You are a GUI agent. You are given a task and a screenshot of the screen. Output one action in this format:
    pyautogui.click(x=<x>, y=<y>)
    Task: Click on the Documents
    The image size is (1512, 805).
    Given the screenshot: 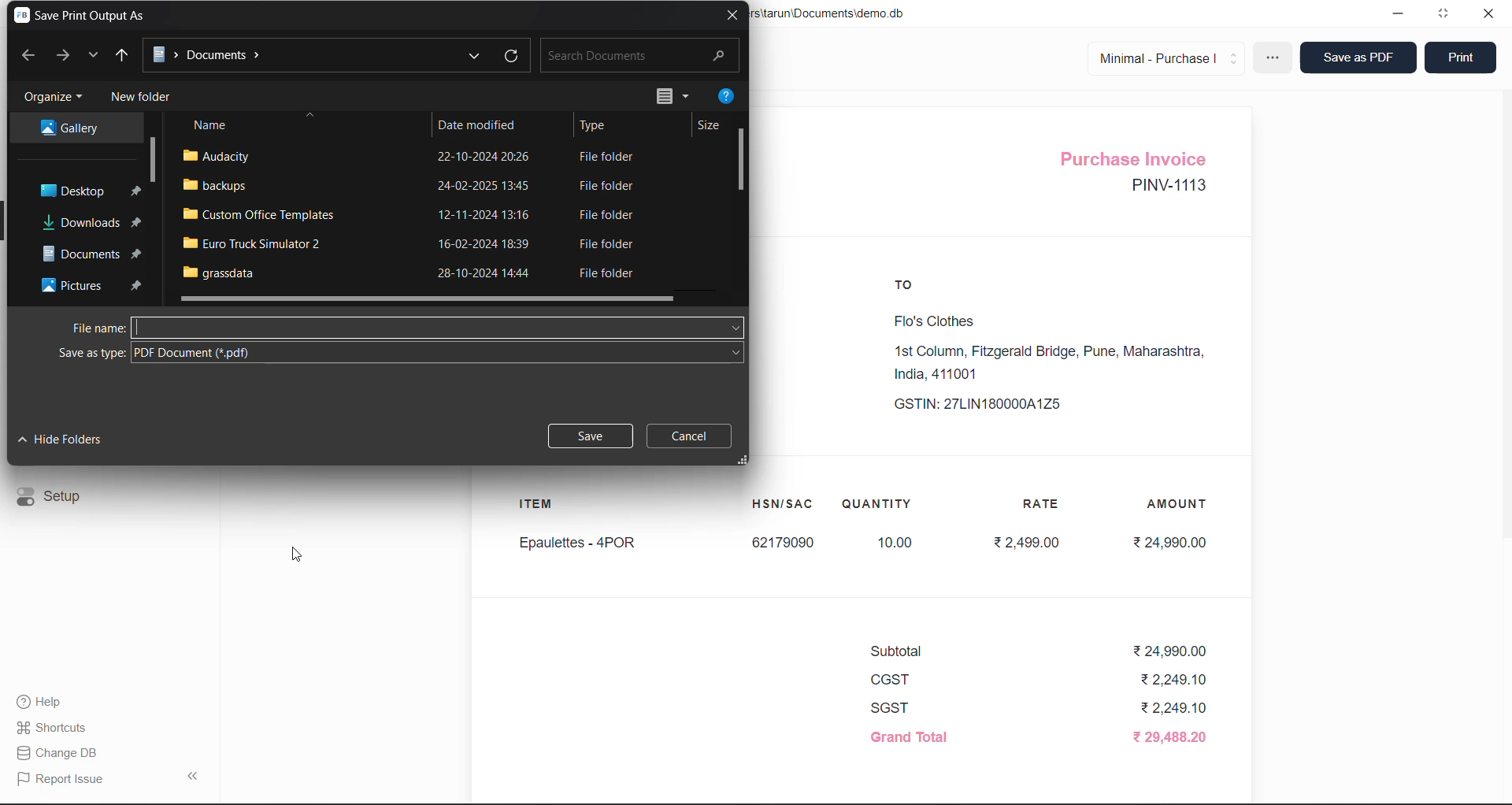 What is the action you would take?
    pyautogui.click(x=213, y=55)
    